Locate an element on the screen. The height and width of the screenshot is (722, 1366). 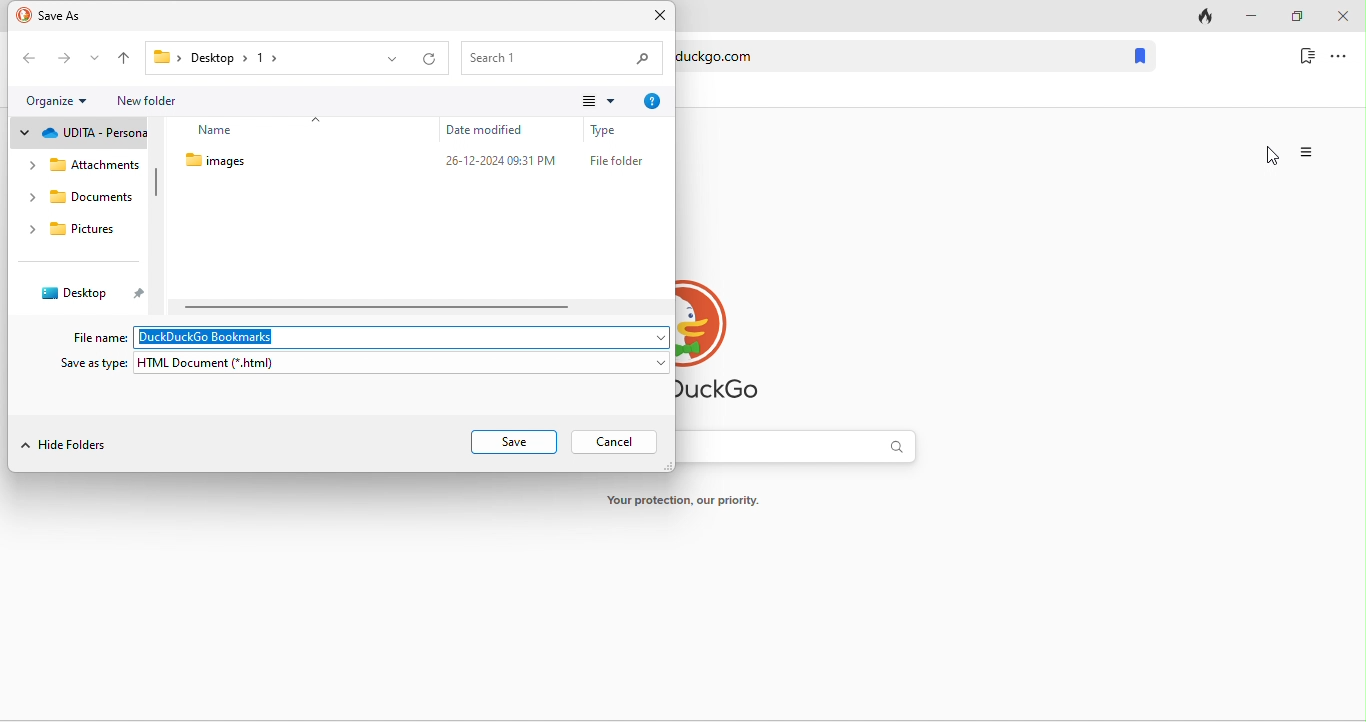
hide folders is located at coordinates (67, 446).